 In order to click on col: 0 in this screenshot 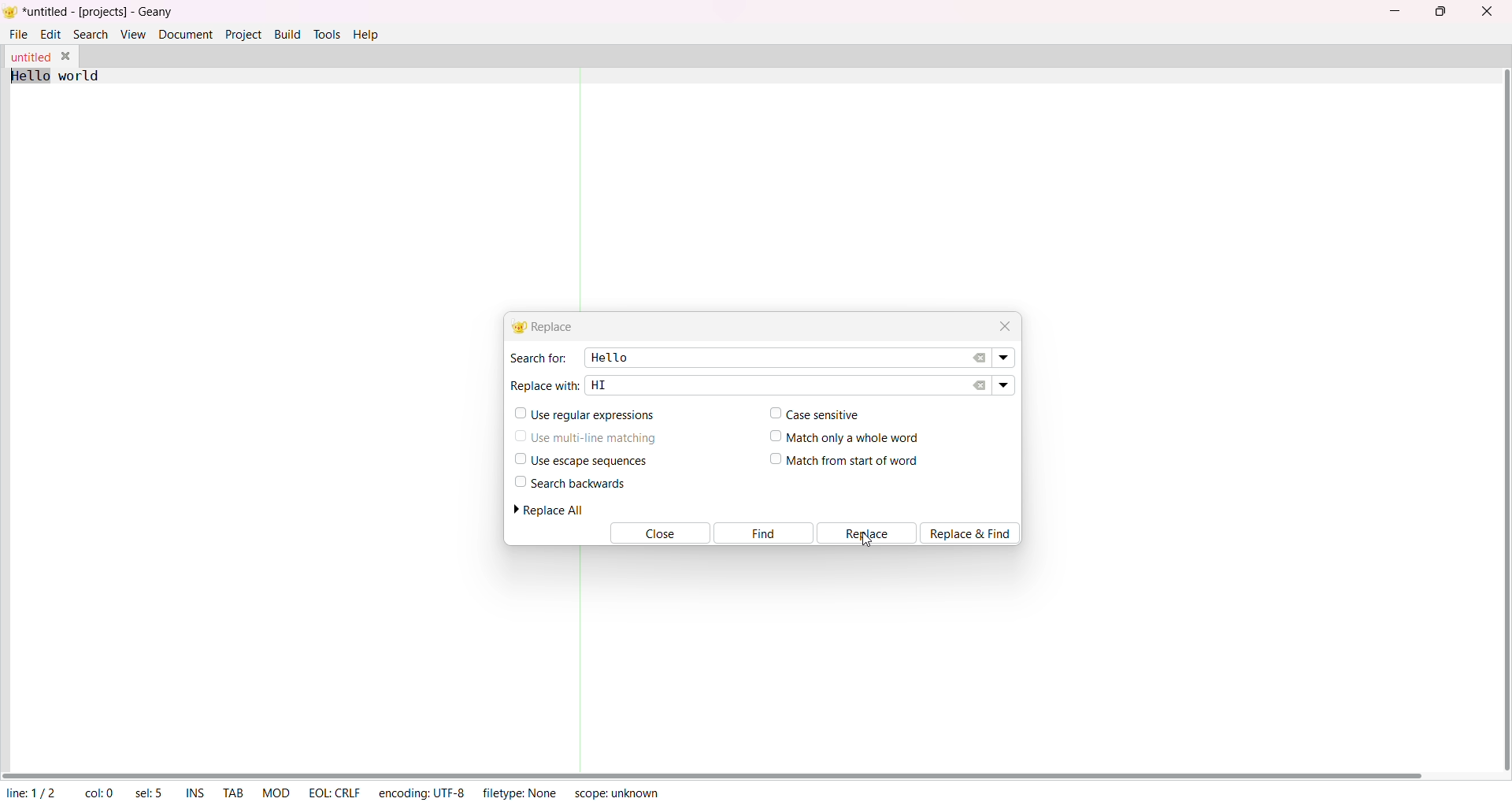, I will do `click(98, 793)`.